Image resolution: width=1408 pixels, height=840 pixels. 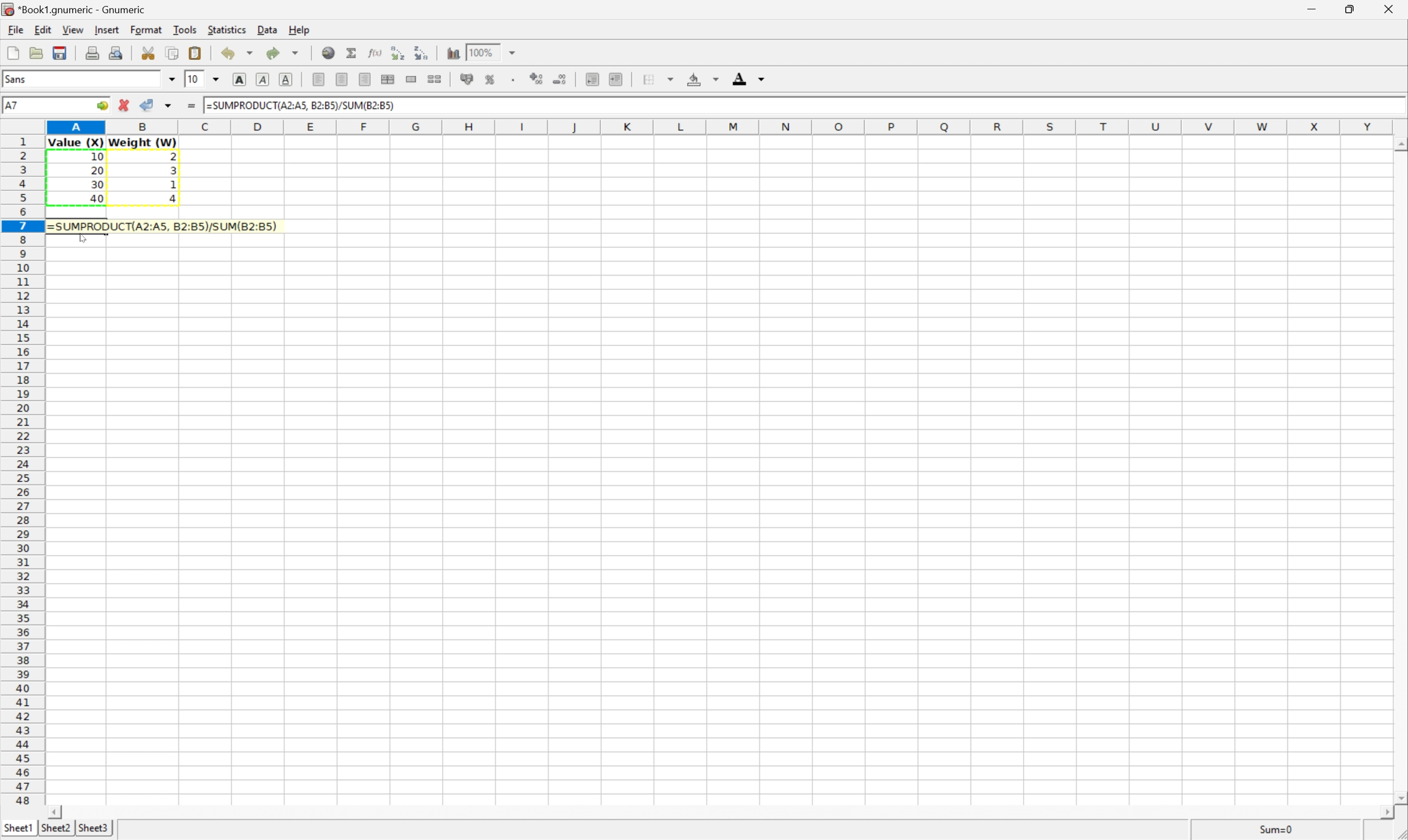 I want to click on Accept changes, so click(x=146, y=105).